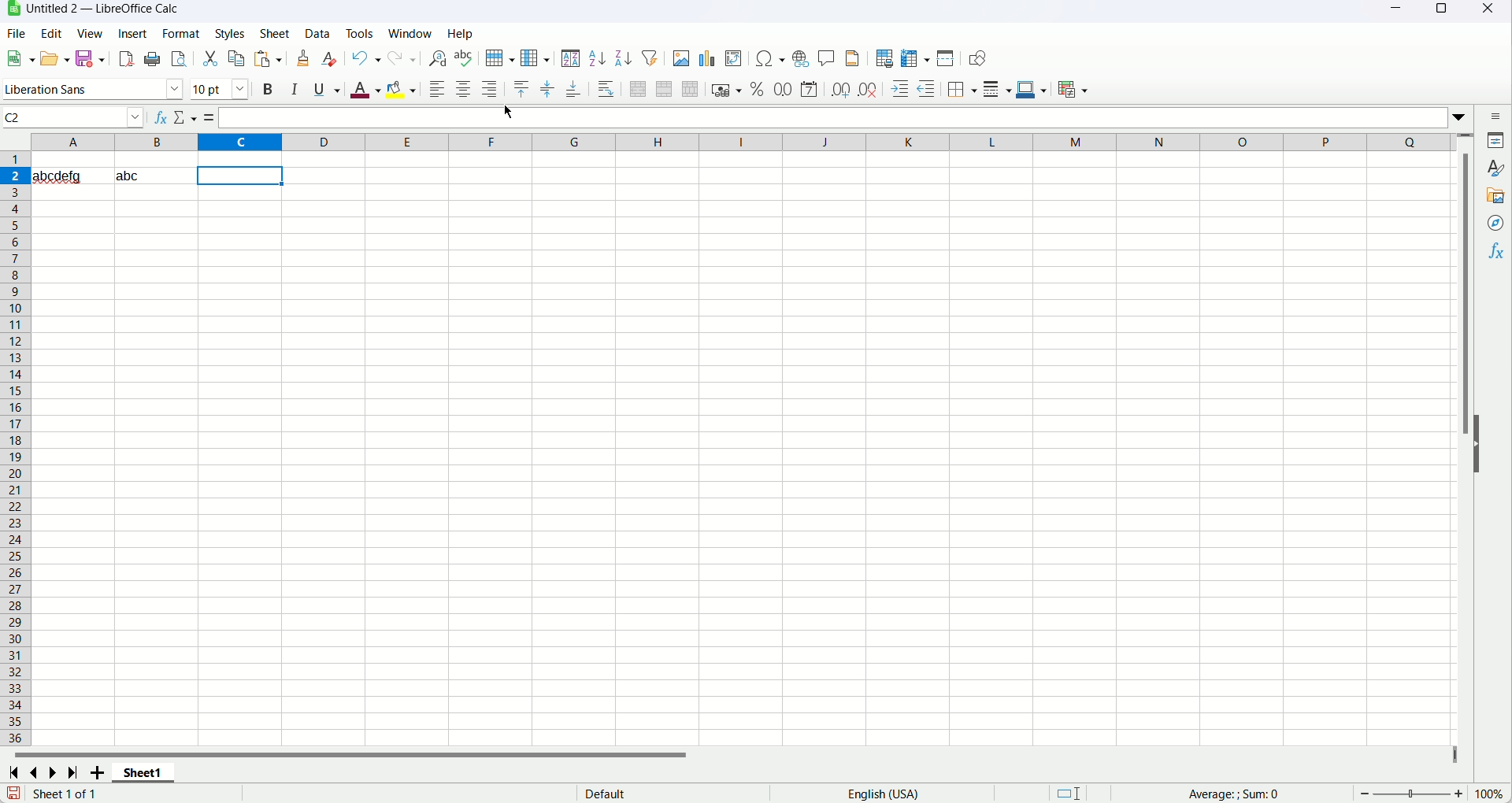 The image size is (1512, 803). I want to click on border, so click(963, 89).